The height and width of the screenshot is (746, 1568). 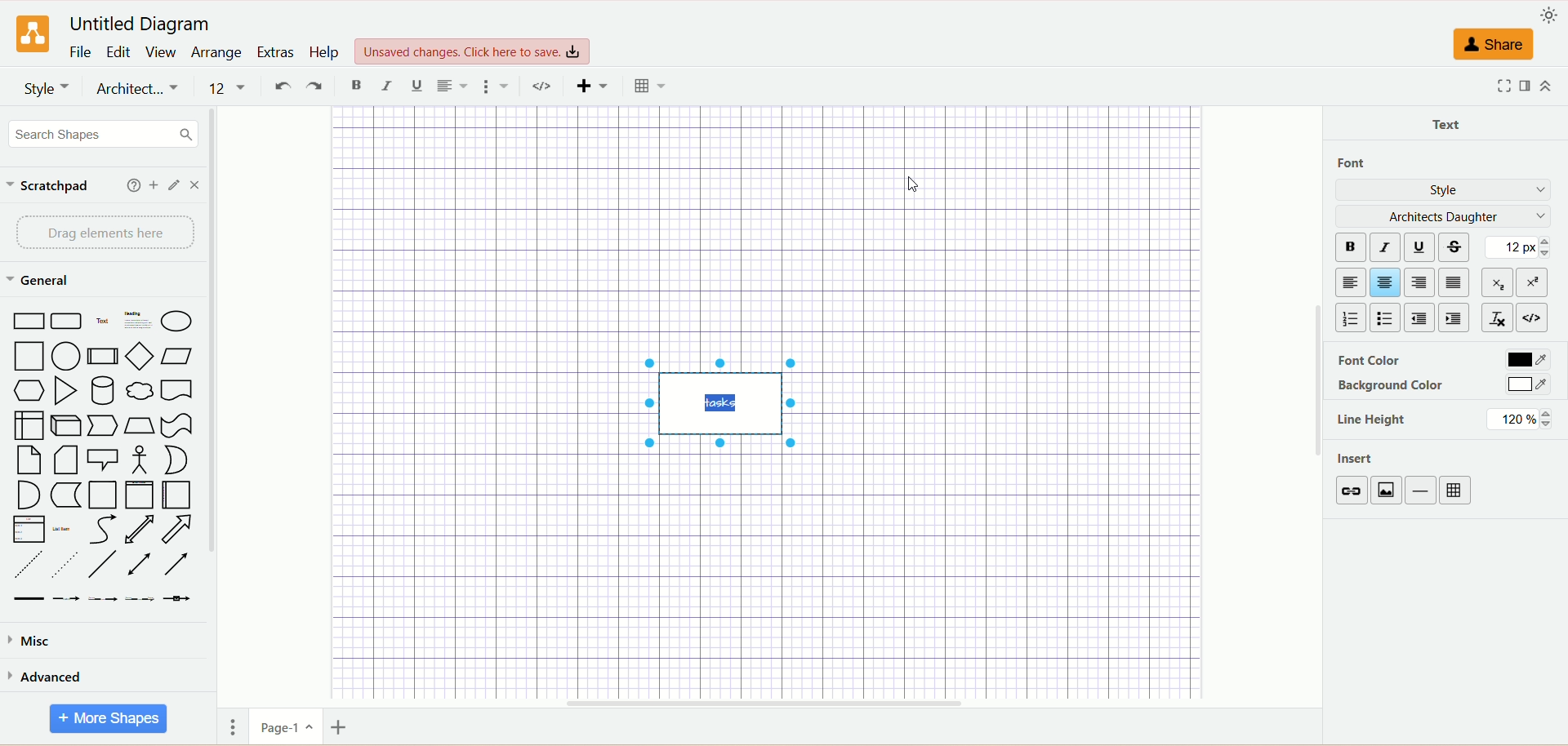 What do you see at coordinates (105, 601) in the screenshot?
I see `Arrow with Double Break` at bounding box center [105, 601].